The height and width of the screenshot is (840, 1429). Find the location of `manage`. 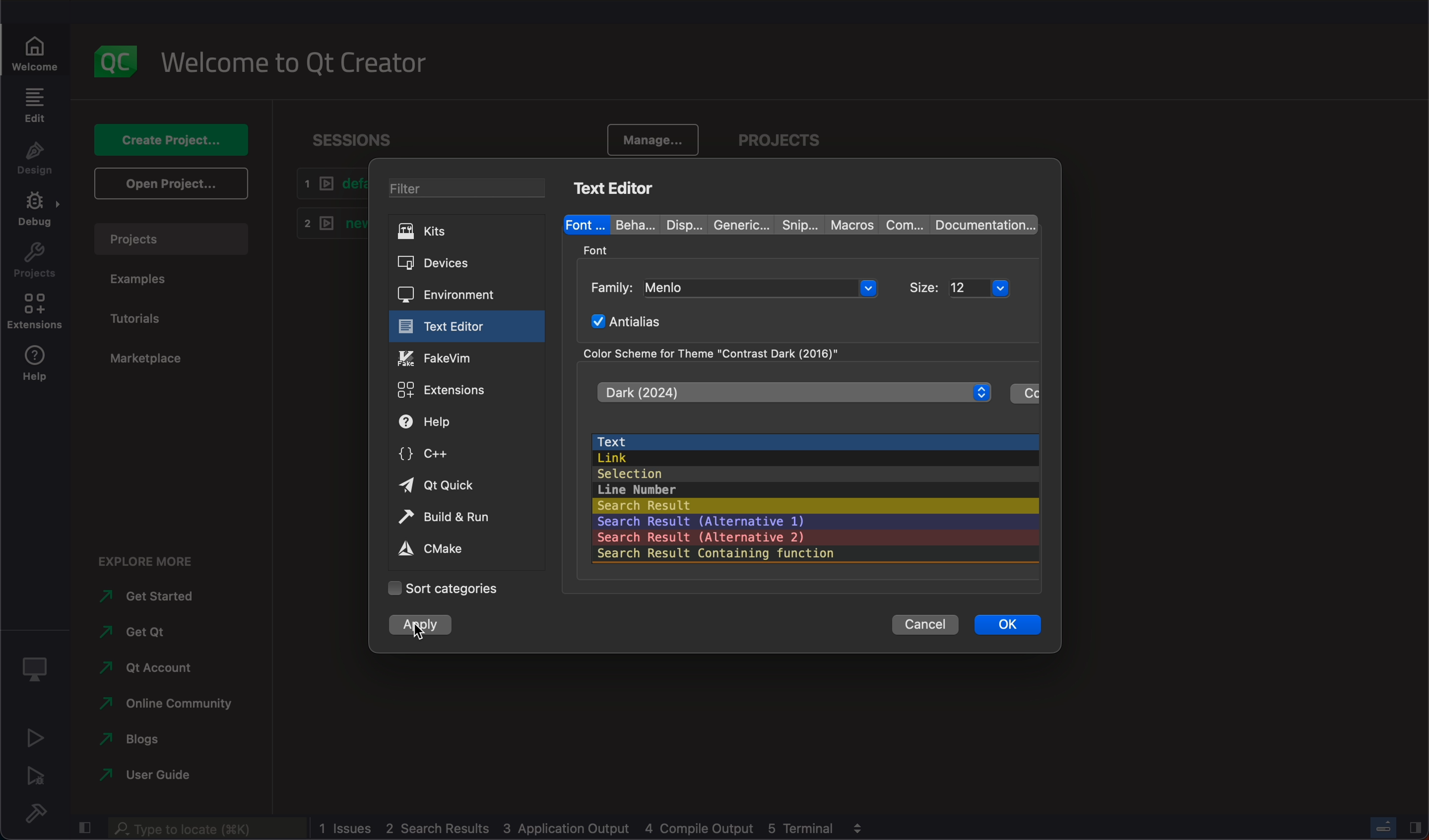

manage is located at coordinates (649, 136).